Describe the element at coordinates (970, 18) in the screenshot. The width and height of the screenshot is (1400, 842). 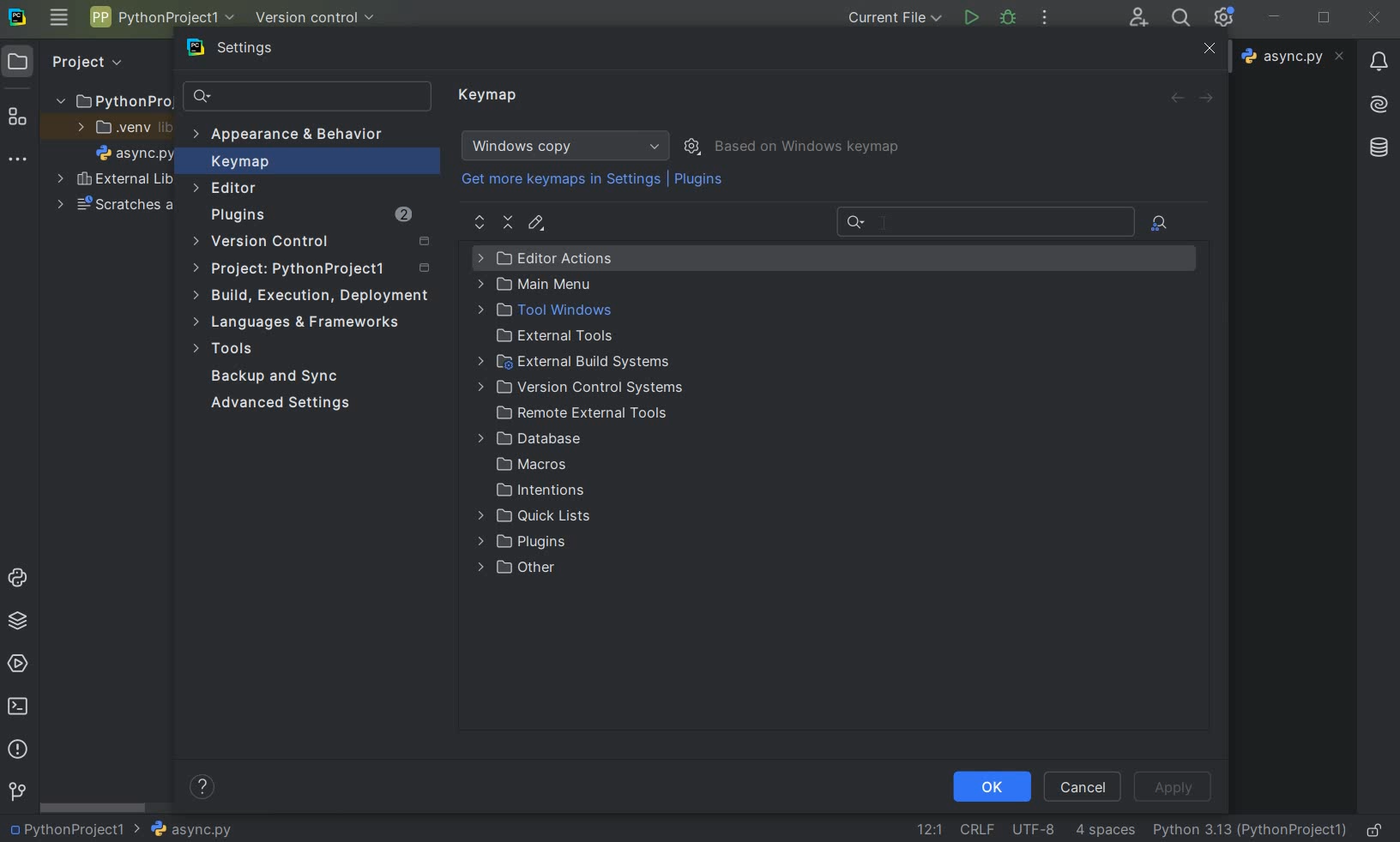
I see `run` at that location.